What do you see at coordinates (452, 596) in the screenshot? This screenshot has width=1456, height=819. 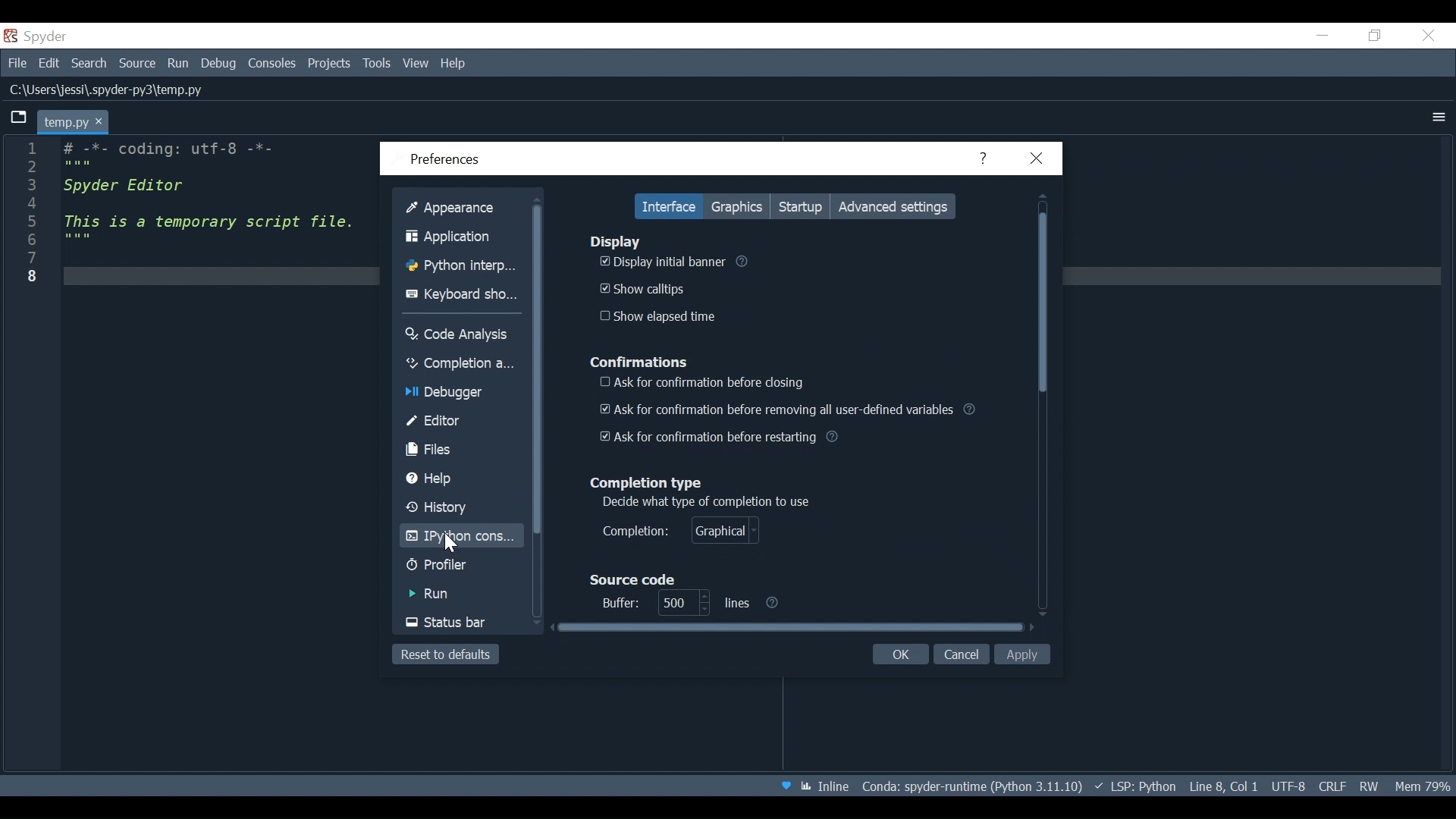 I see `Run` at bounding box center [452, 596].